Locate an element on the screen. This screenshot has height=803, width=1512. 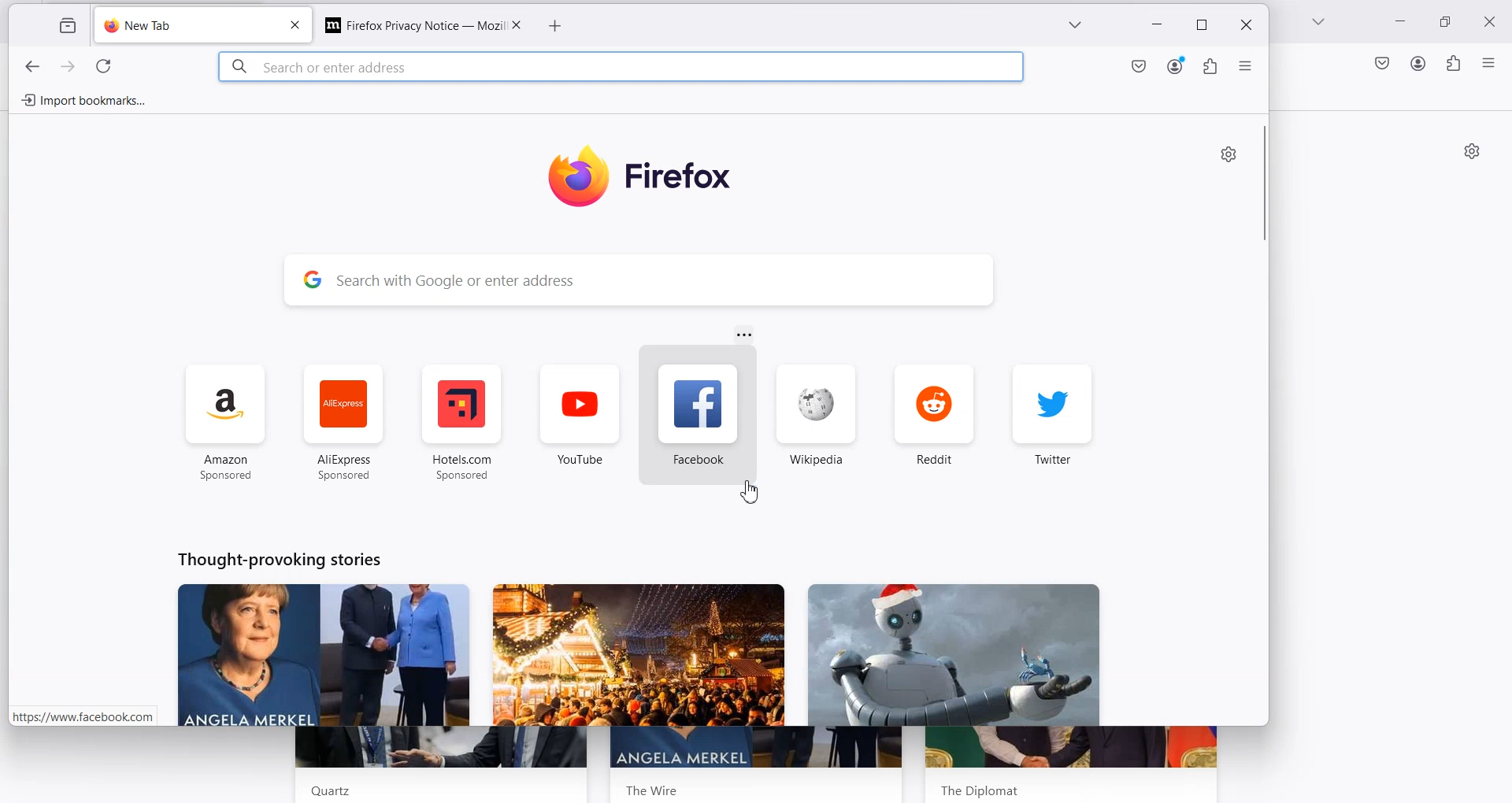
The Wire is located at coordinates (654, 787).